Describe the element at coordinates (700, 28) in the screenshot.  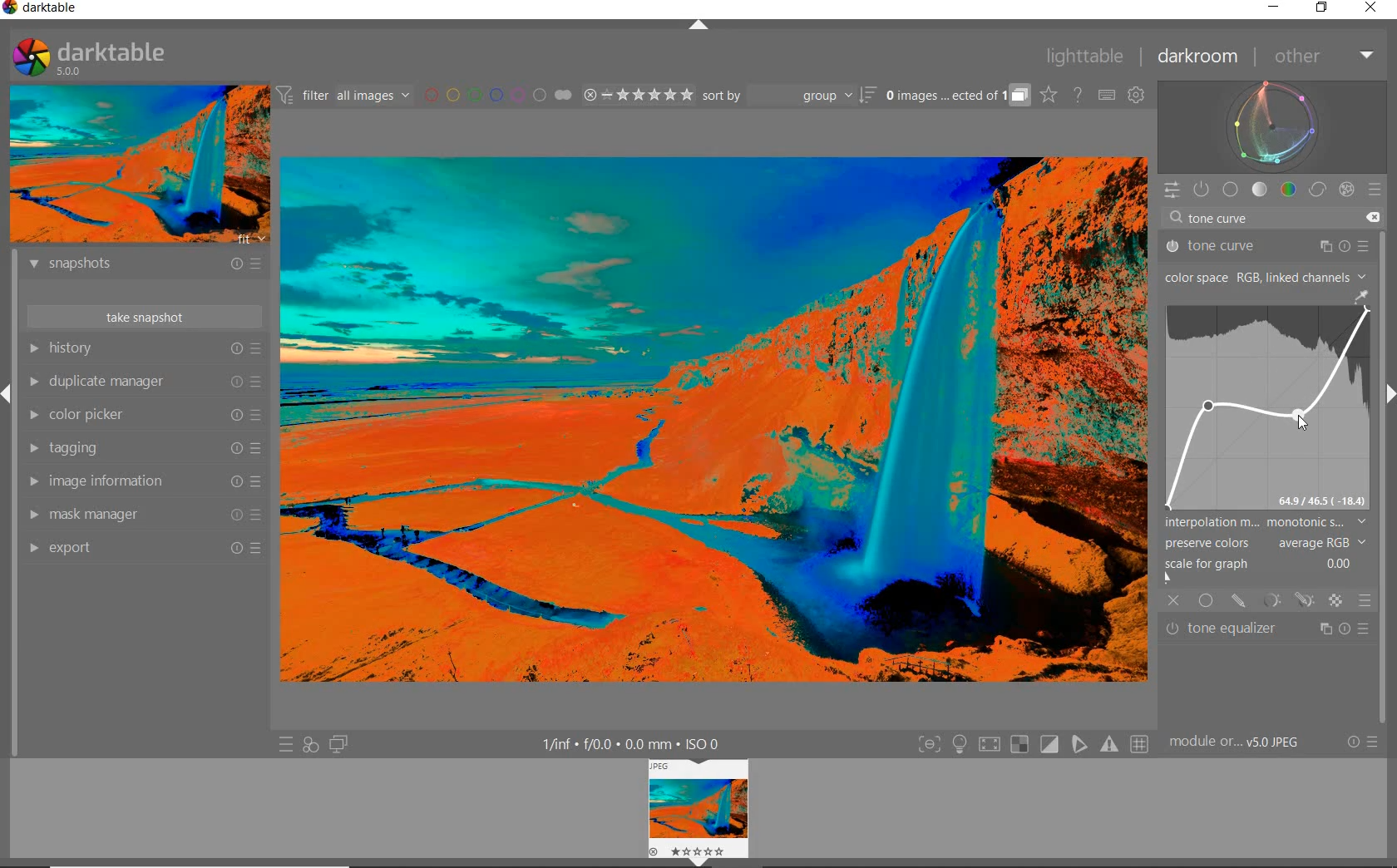
I see `EXPAND/COLLAPSE` at that location.